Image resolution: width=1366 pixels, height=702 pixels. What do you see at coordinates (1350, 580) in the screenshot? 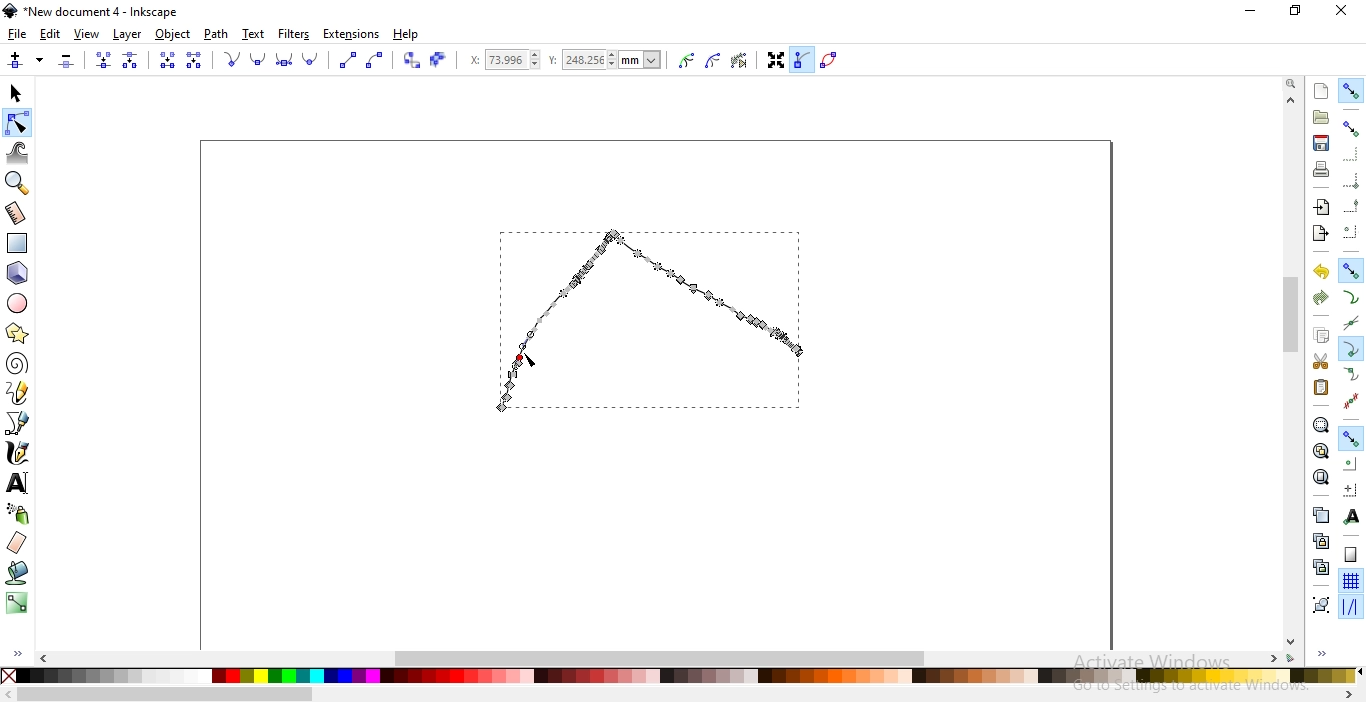
I see `snap to grids` at bounding box center [1350, 580].